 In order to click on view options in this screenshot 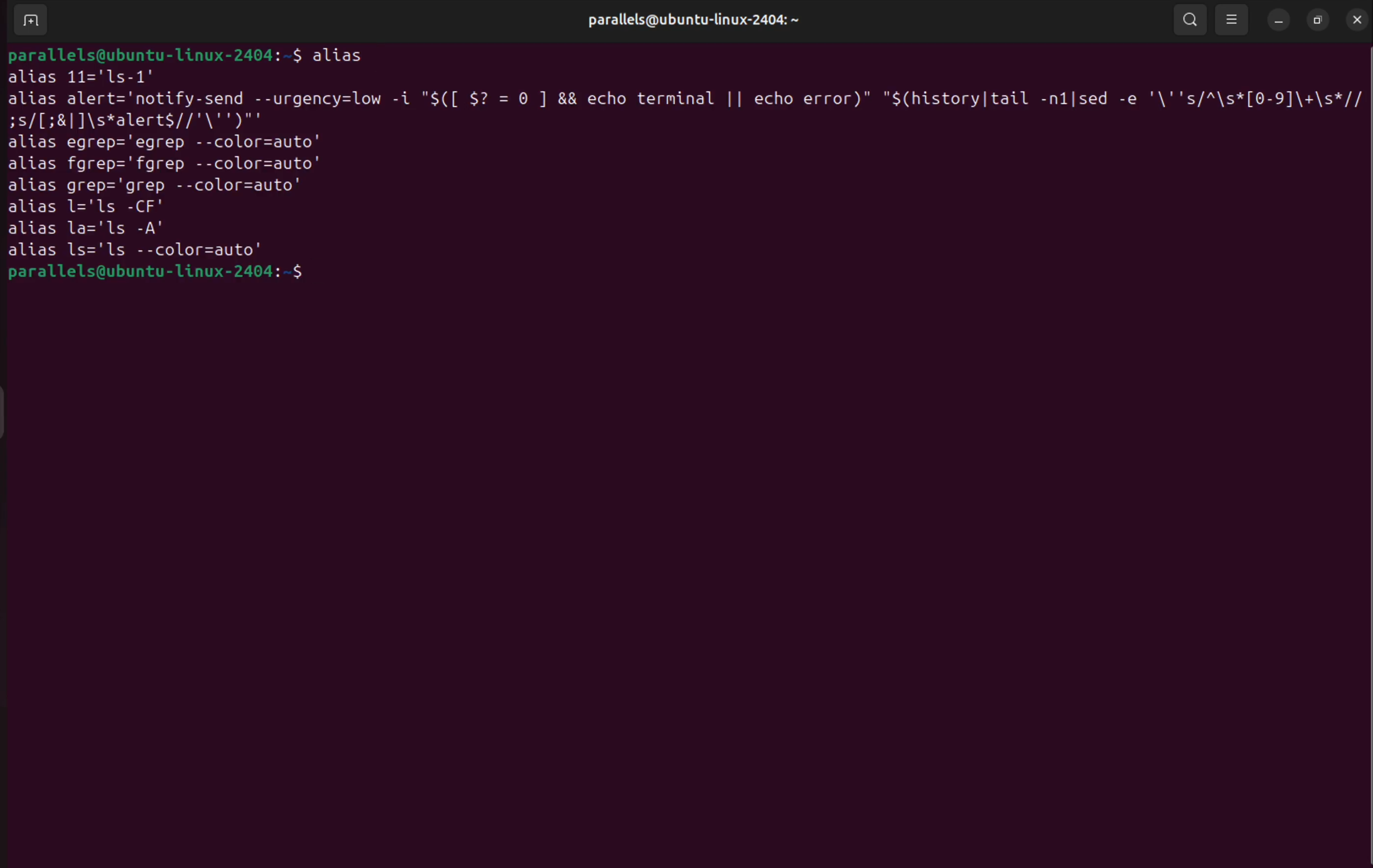, I will do `click(1232, 20)`.